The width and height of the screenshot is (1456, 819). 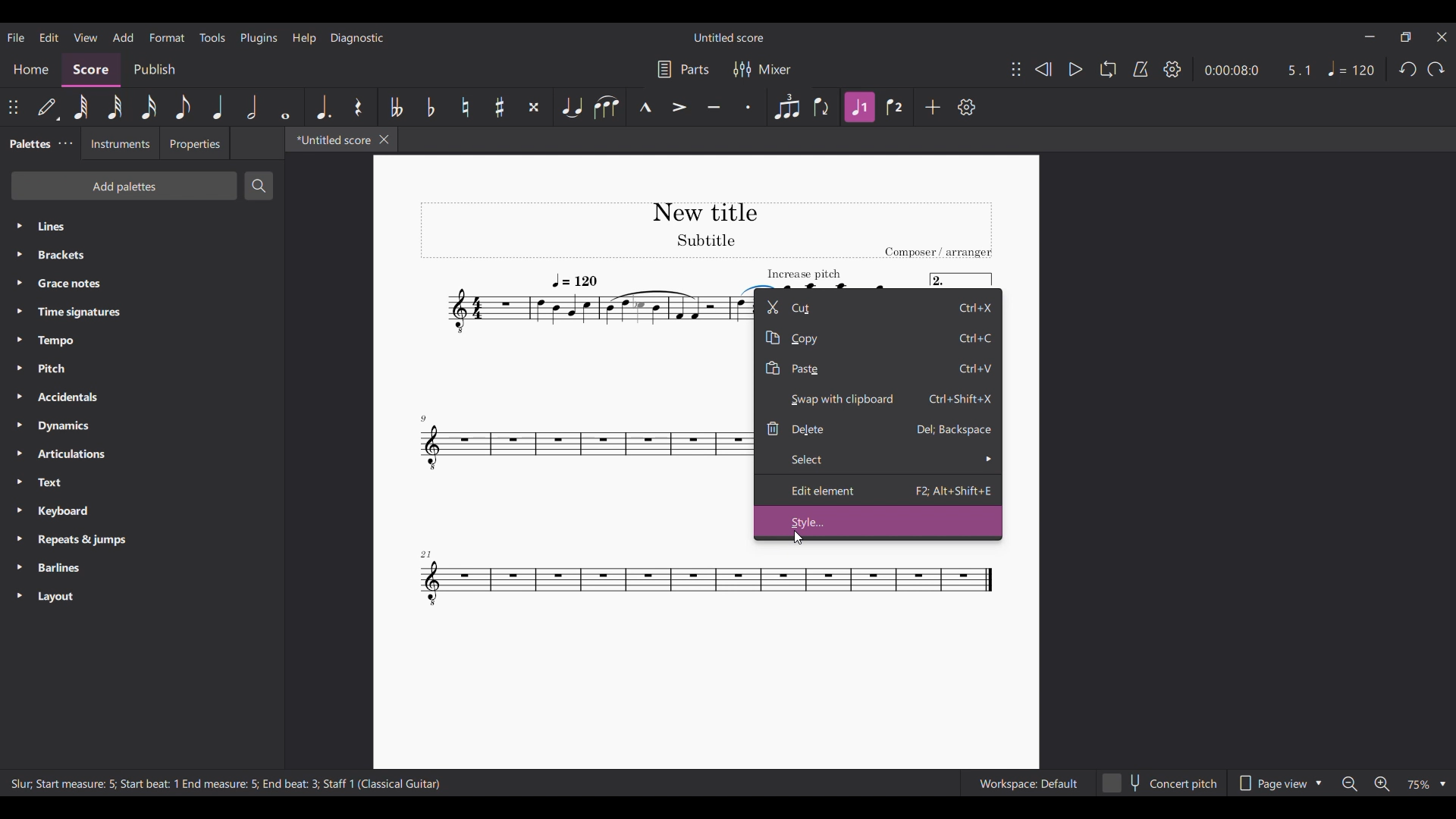 What do you see at coordinates (49, 37) in the screenshot?
I see `Edit menu` at bounding box center [49, 37].